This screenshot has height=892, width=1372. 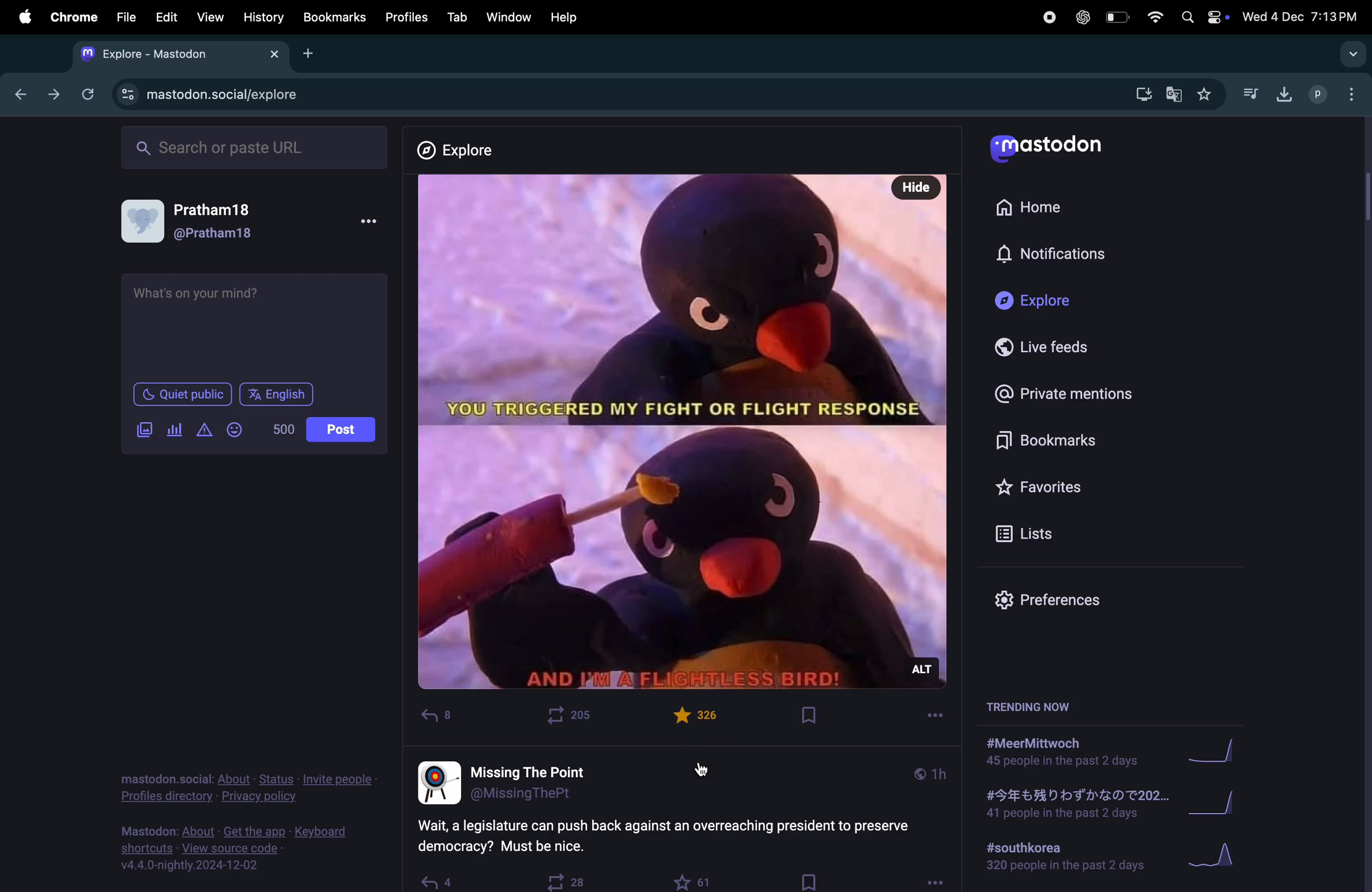 What do you see at coordinates (365, 222) in the screenshot?
I see `more` at bounding box center [365, 222].